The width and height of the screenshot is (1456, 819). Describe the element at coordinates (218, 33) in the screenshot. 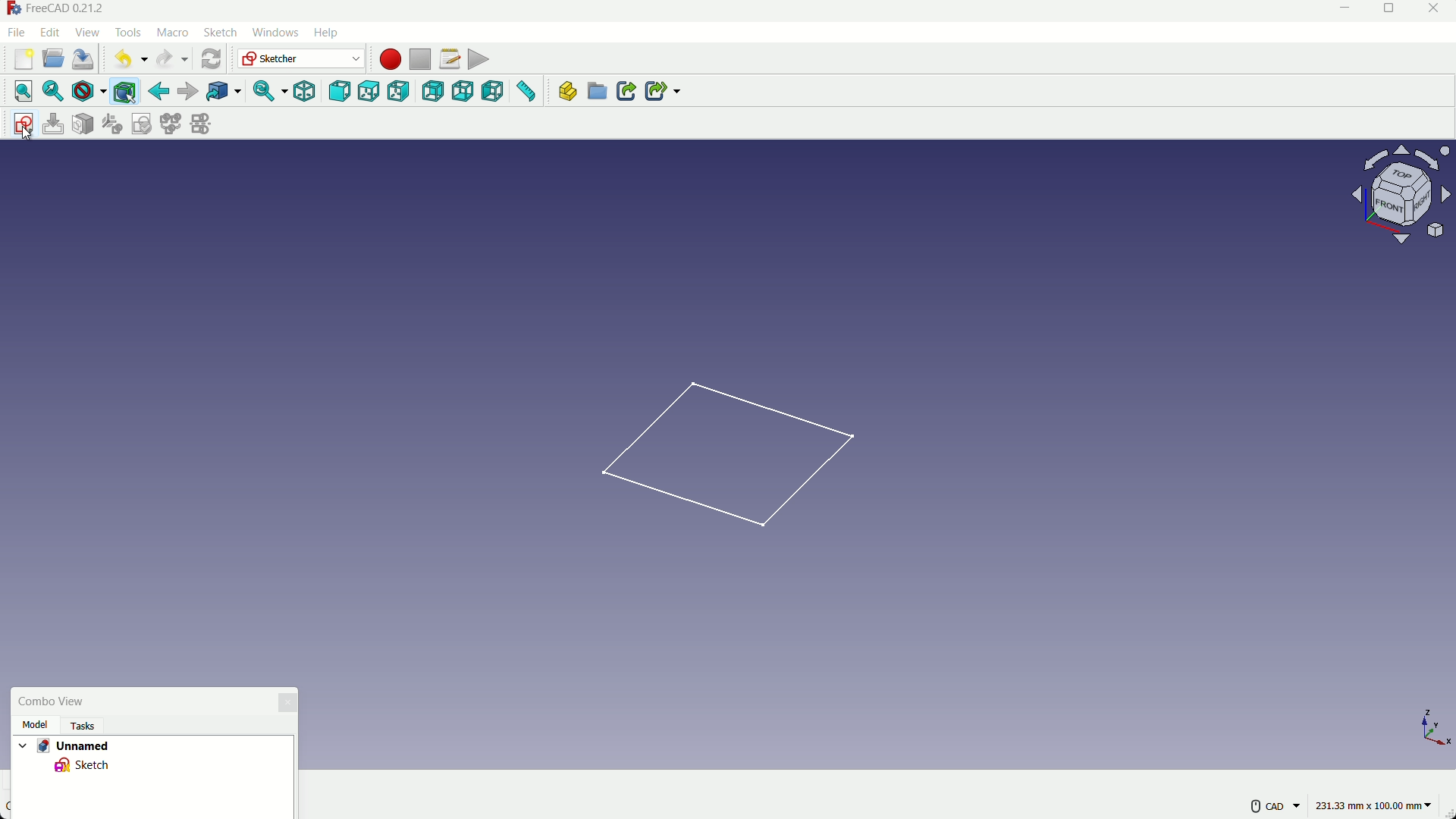

I see `sketch menu` at that location.